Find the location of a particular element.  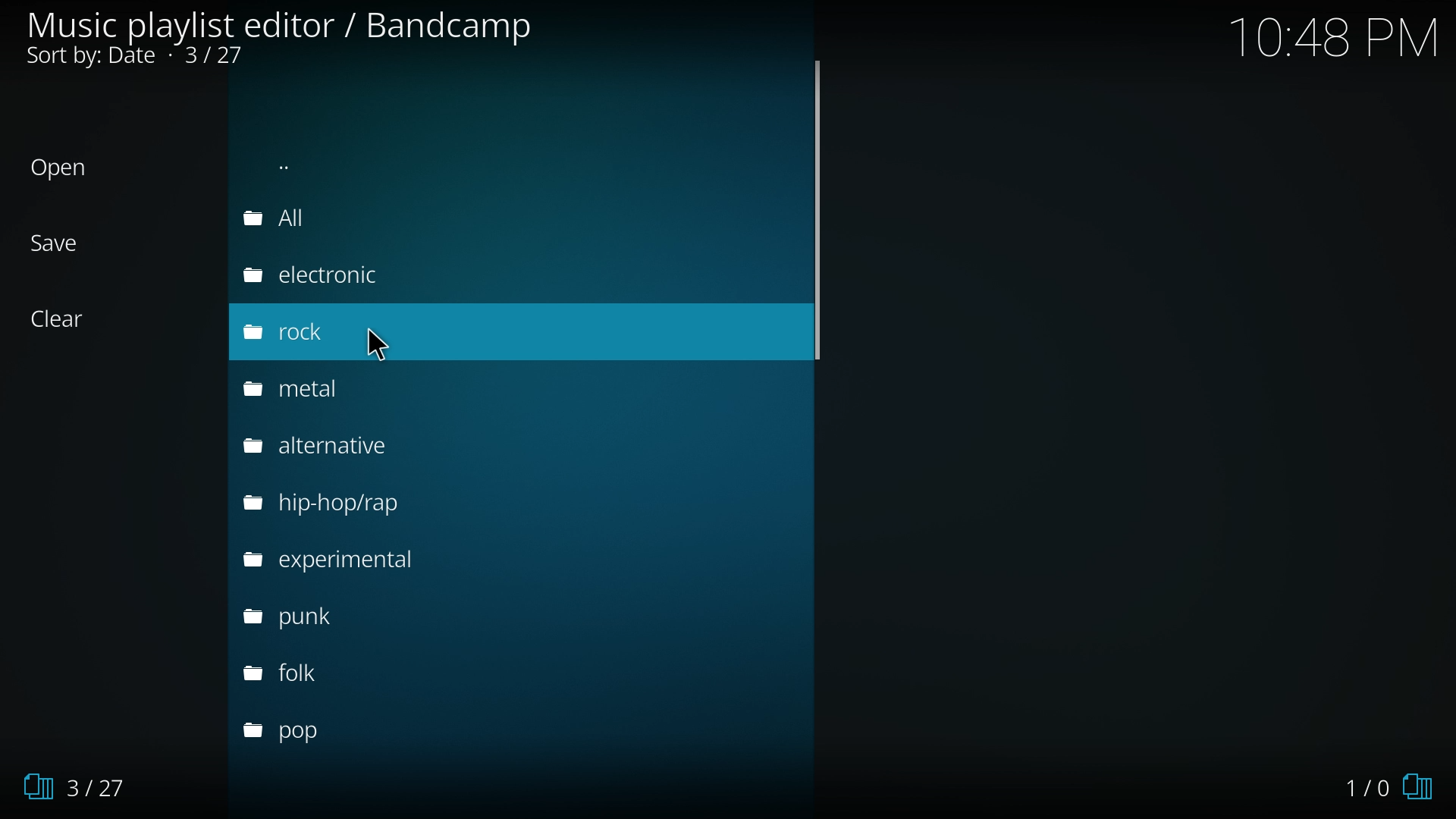

Time is located at coordinates (1338, 39).